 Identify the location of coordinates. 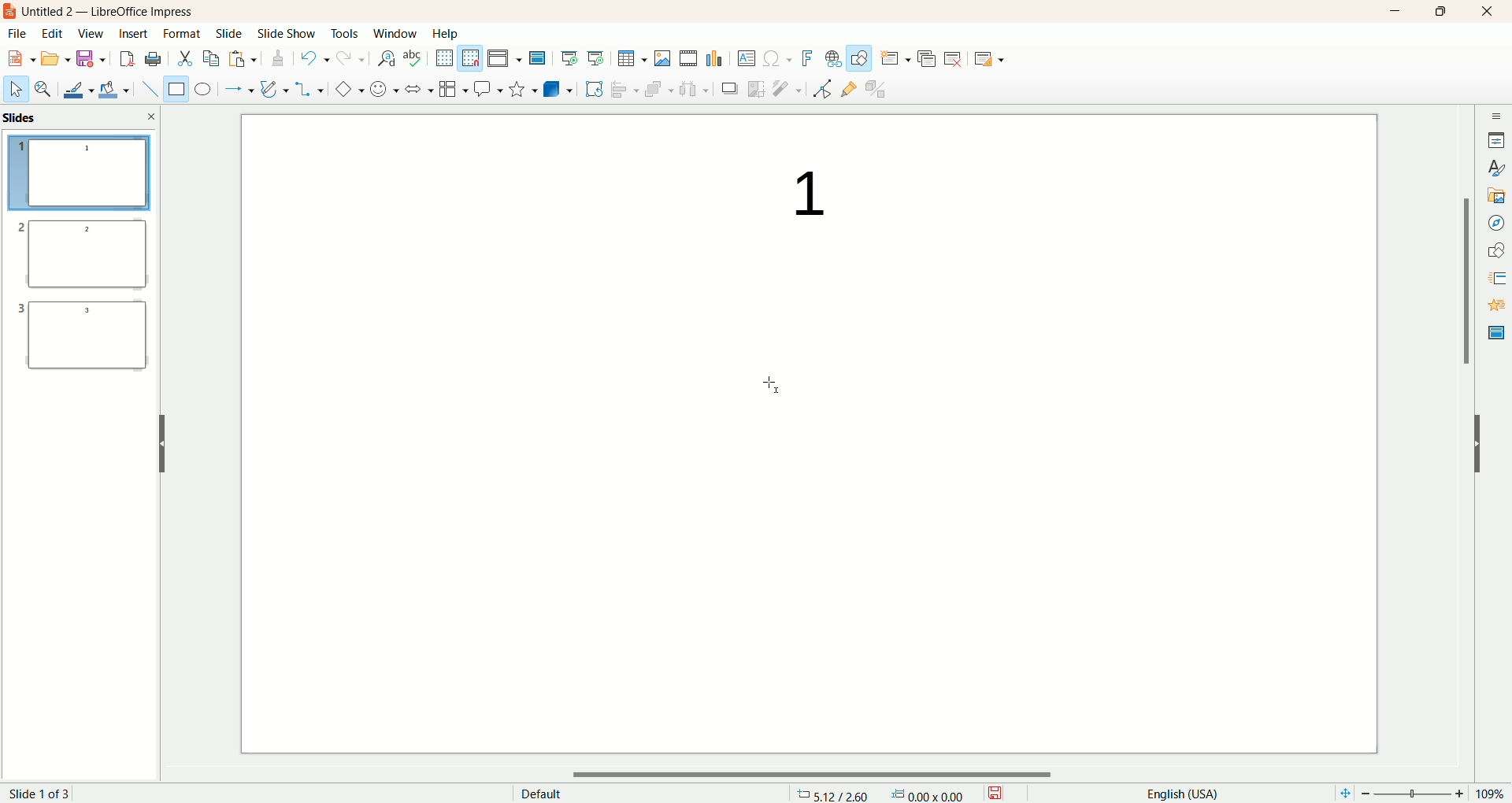
(833, 794).